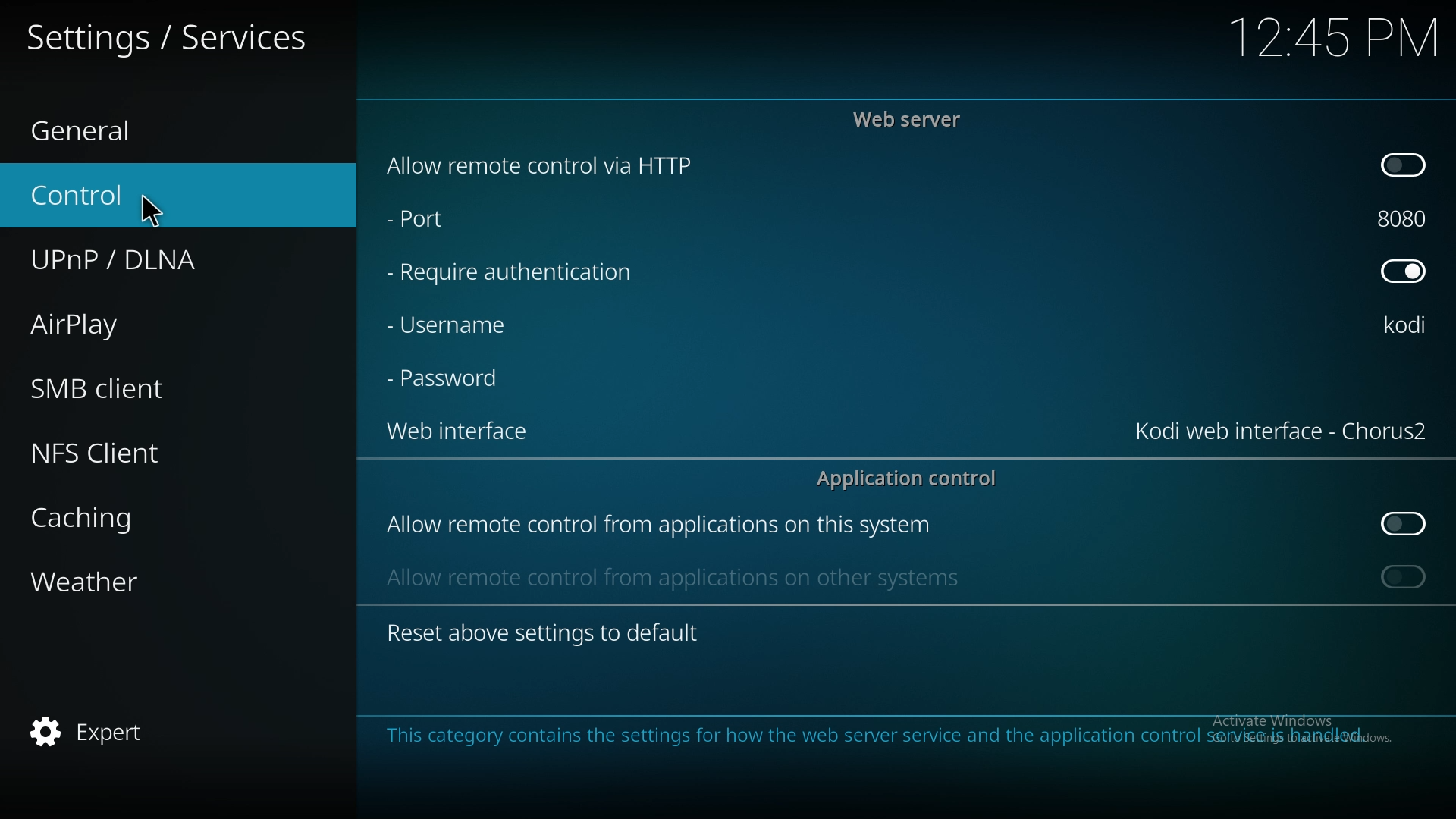  What do you see at coordinates (1282, 428) in the screenshot?
I see `web interface` at bounding box center [1282, 428].